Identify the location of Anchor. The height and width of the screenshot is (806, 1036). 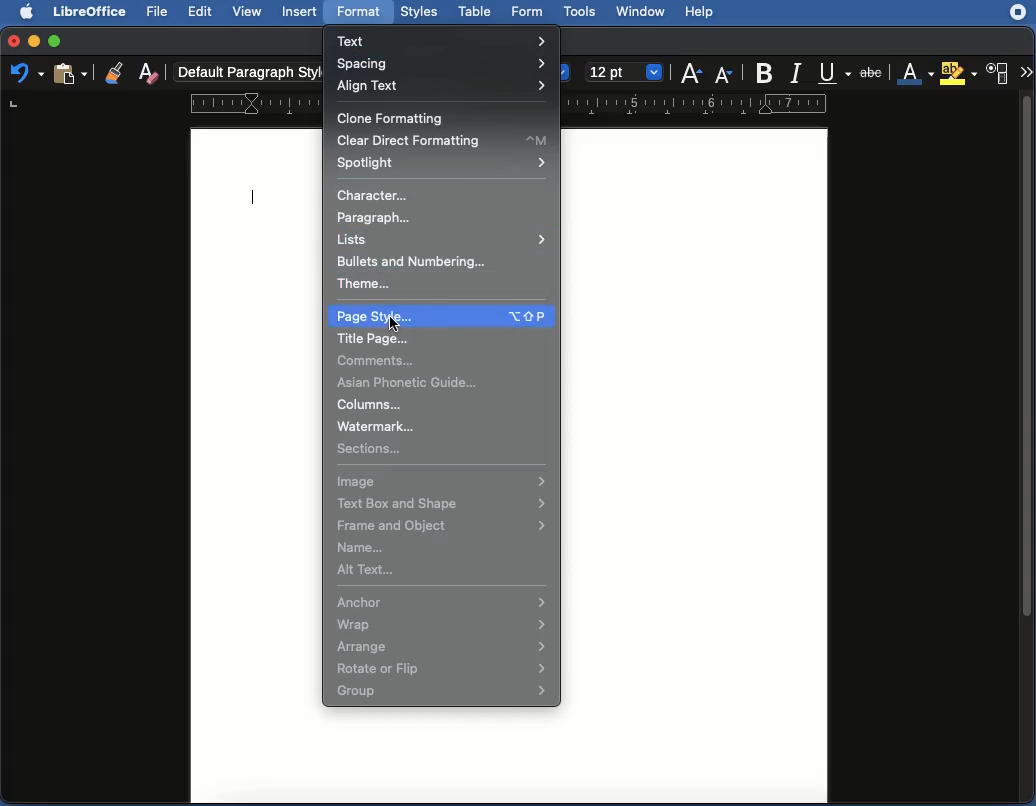
(442, 601).